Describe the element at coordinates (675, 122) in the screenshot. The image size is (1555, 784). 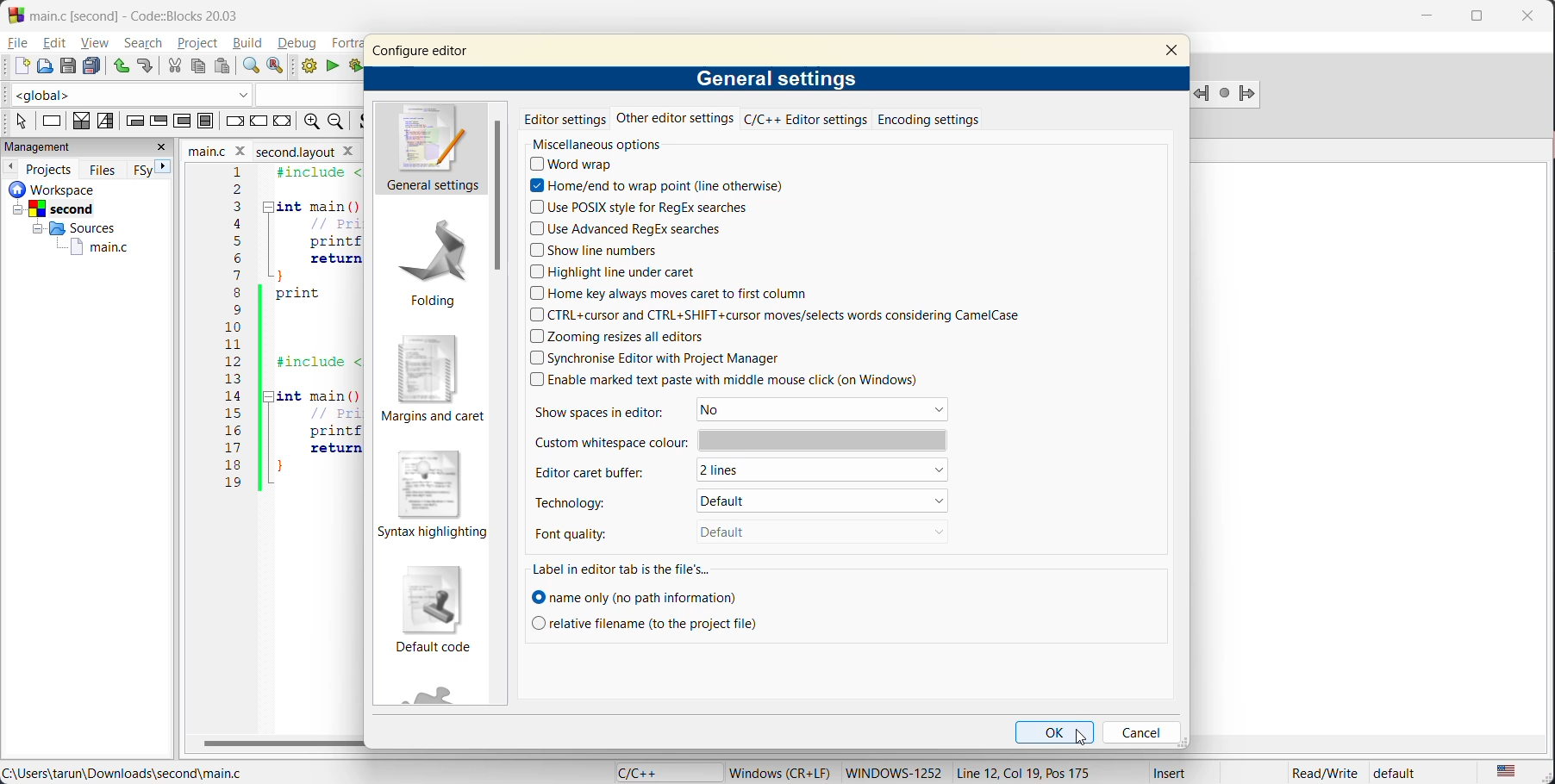
I see `other editor settings` at that location.